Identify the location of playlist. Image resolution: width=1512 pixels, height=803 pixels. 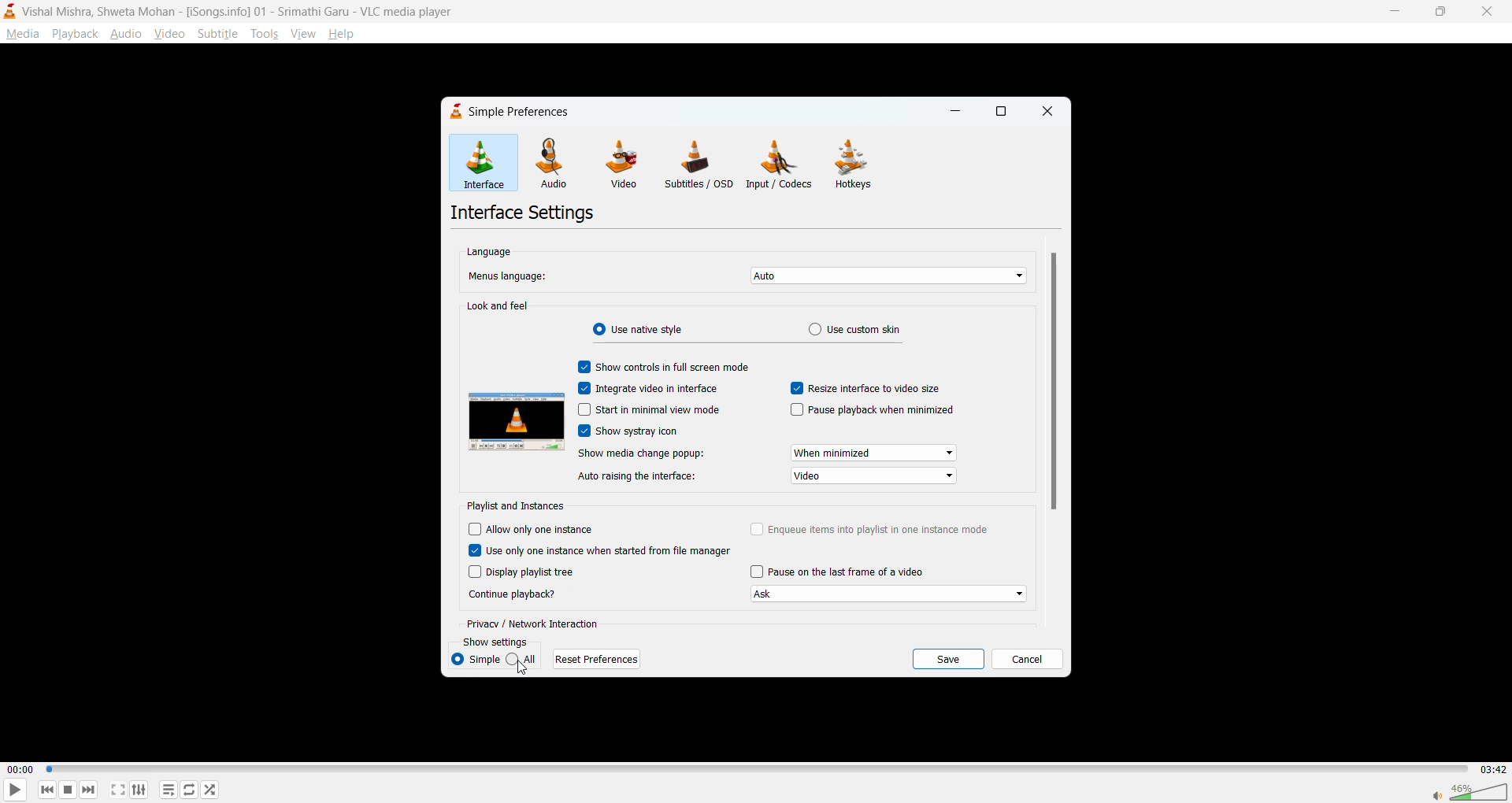
(171, 790).